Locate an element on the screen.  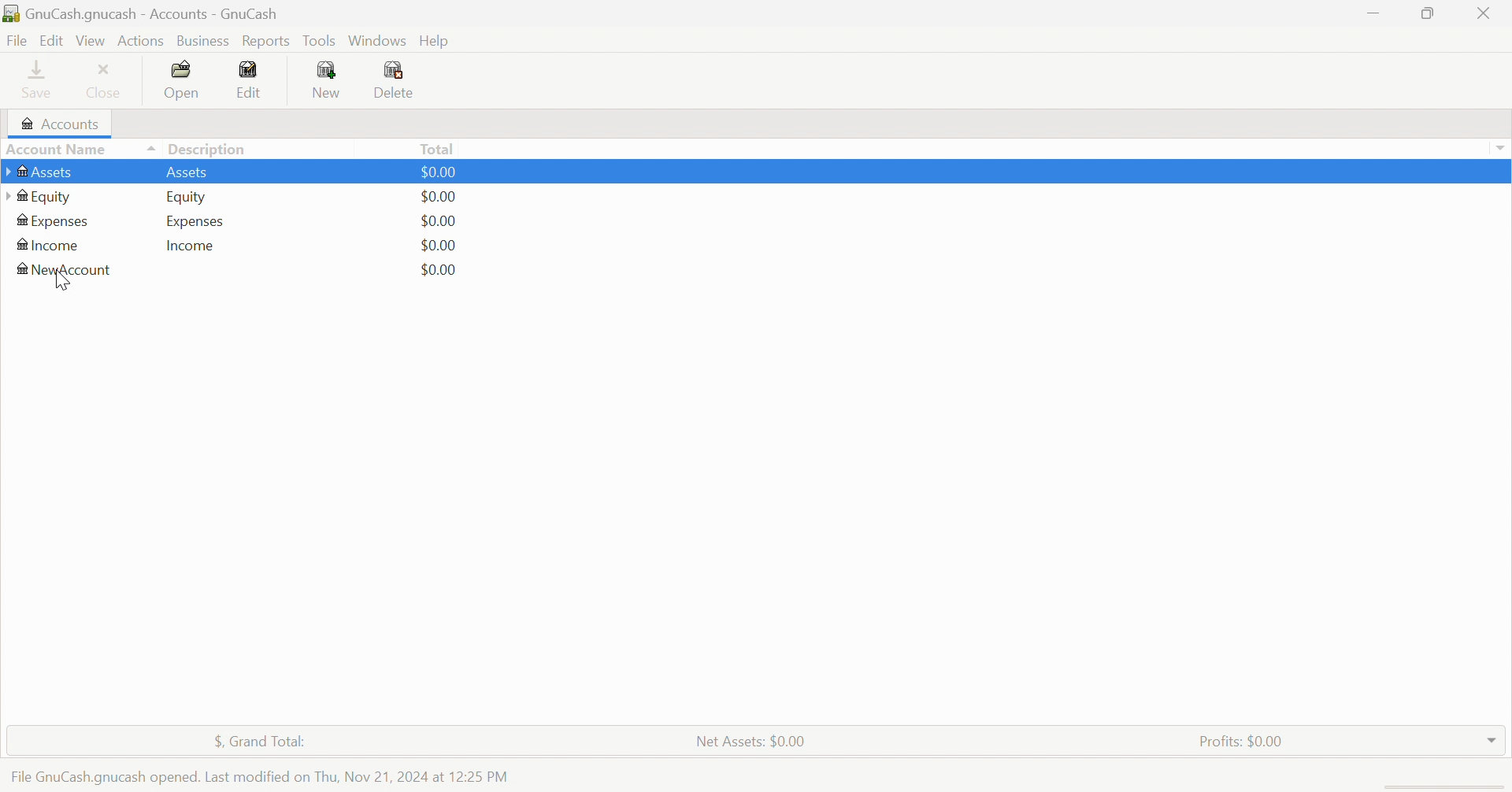
Business is located at coordinates (206, 41).